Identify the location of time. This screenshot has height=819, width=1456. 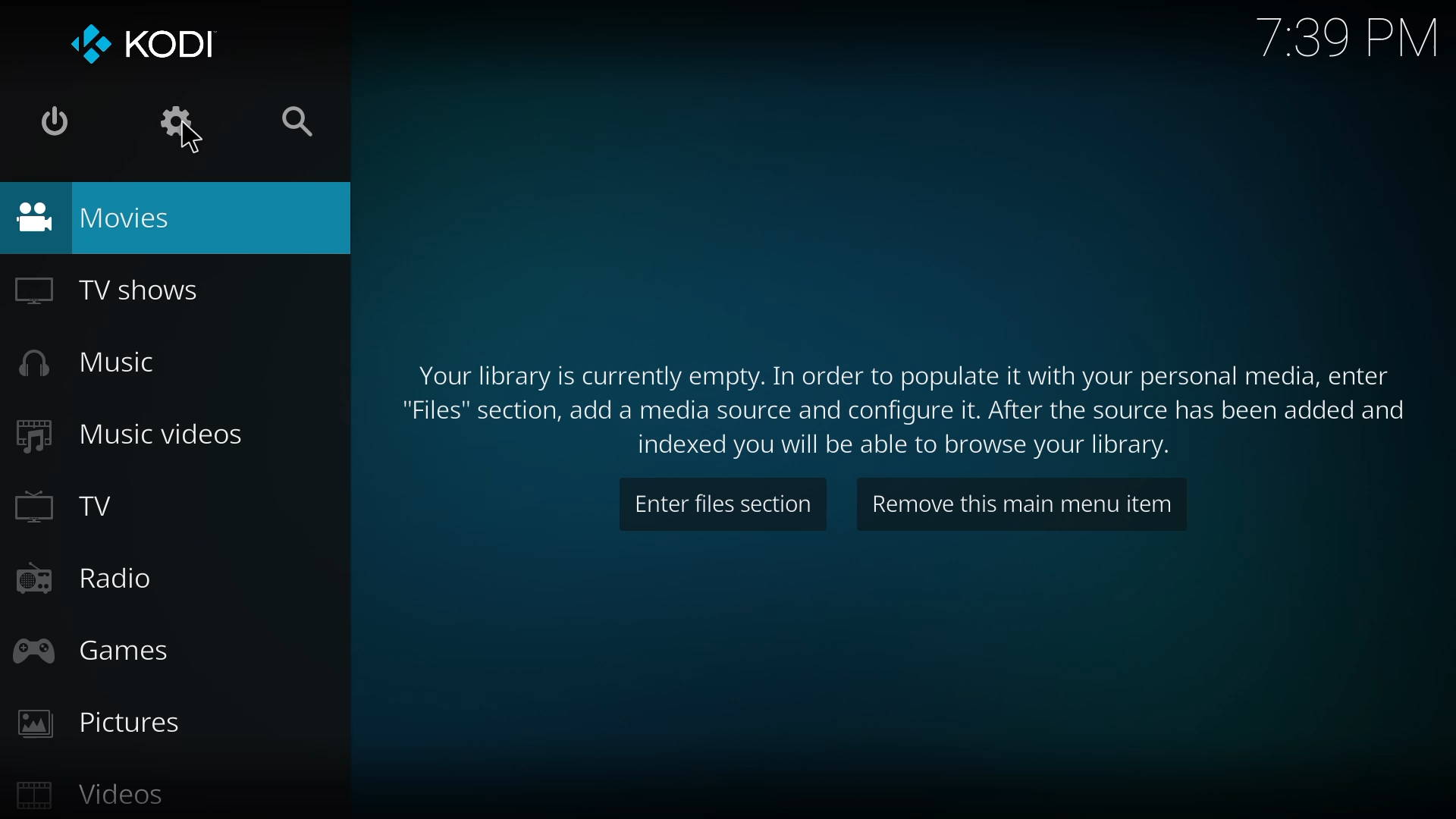
(1352, 36).